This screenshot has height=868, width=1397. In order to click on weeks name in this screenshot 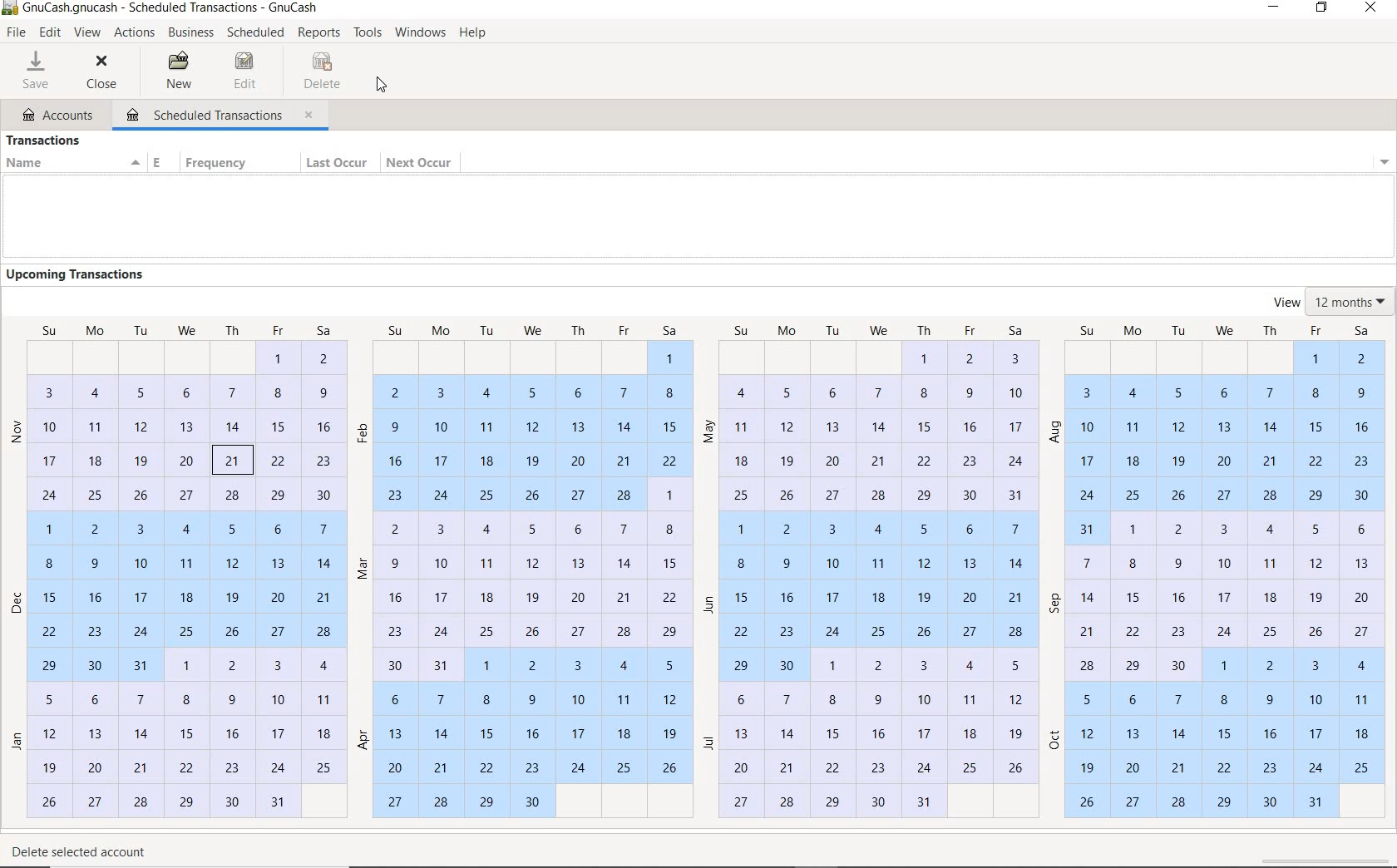, I will do `click(707, 330)`.